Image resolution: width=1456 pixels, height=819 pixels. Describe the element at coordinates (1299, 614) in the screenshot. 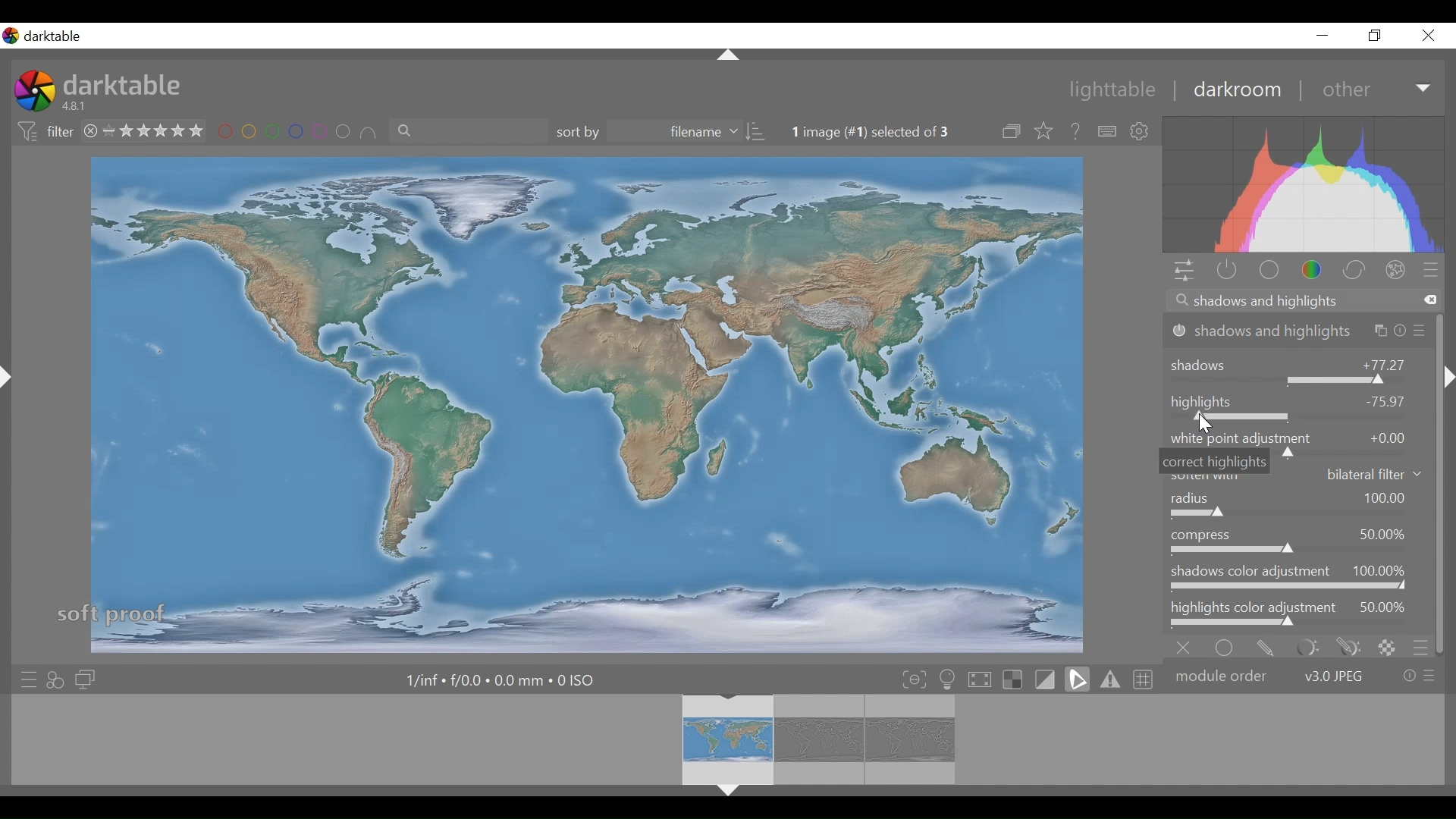

I see `highlight color adjustments` at that location.